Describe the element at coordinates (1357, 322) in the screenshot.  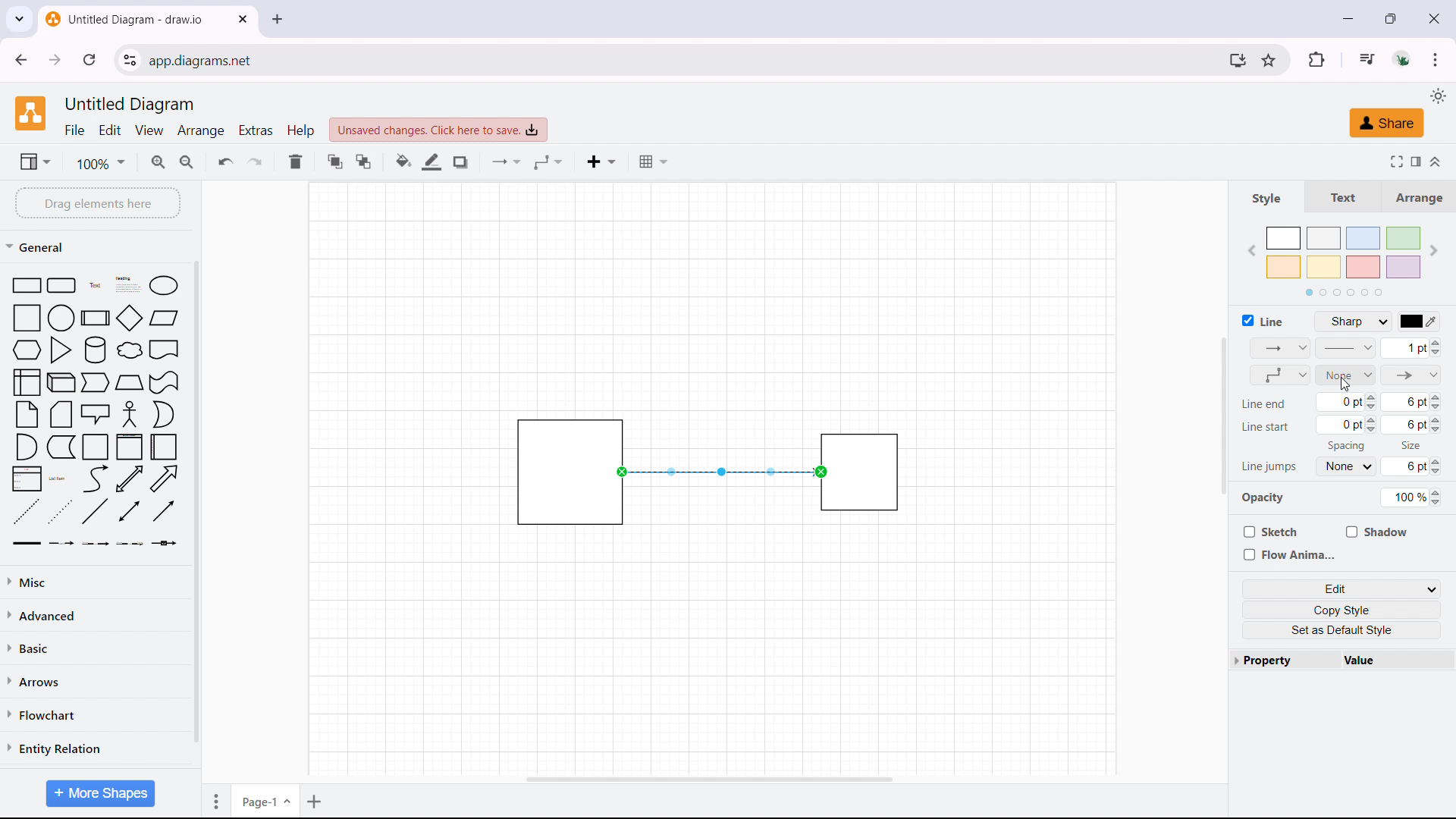
I see `line style` at that location.